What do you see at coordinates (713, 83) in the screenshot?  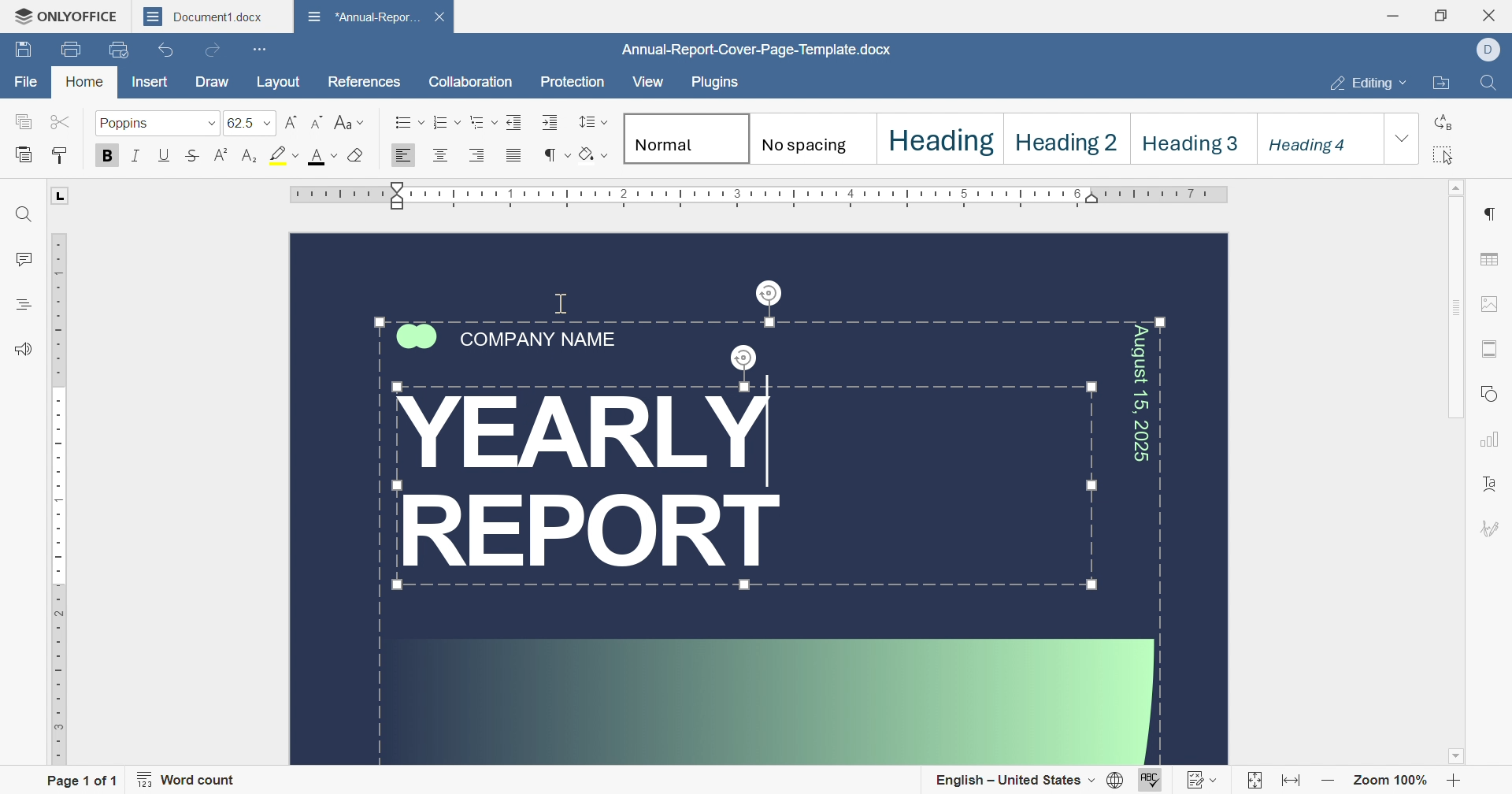 I see `plugins` at bounding box center [713, 83].